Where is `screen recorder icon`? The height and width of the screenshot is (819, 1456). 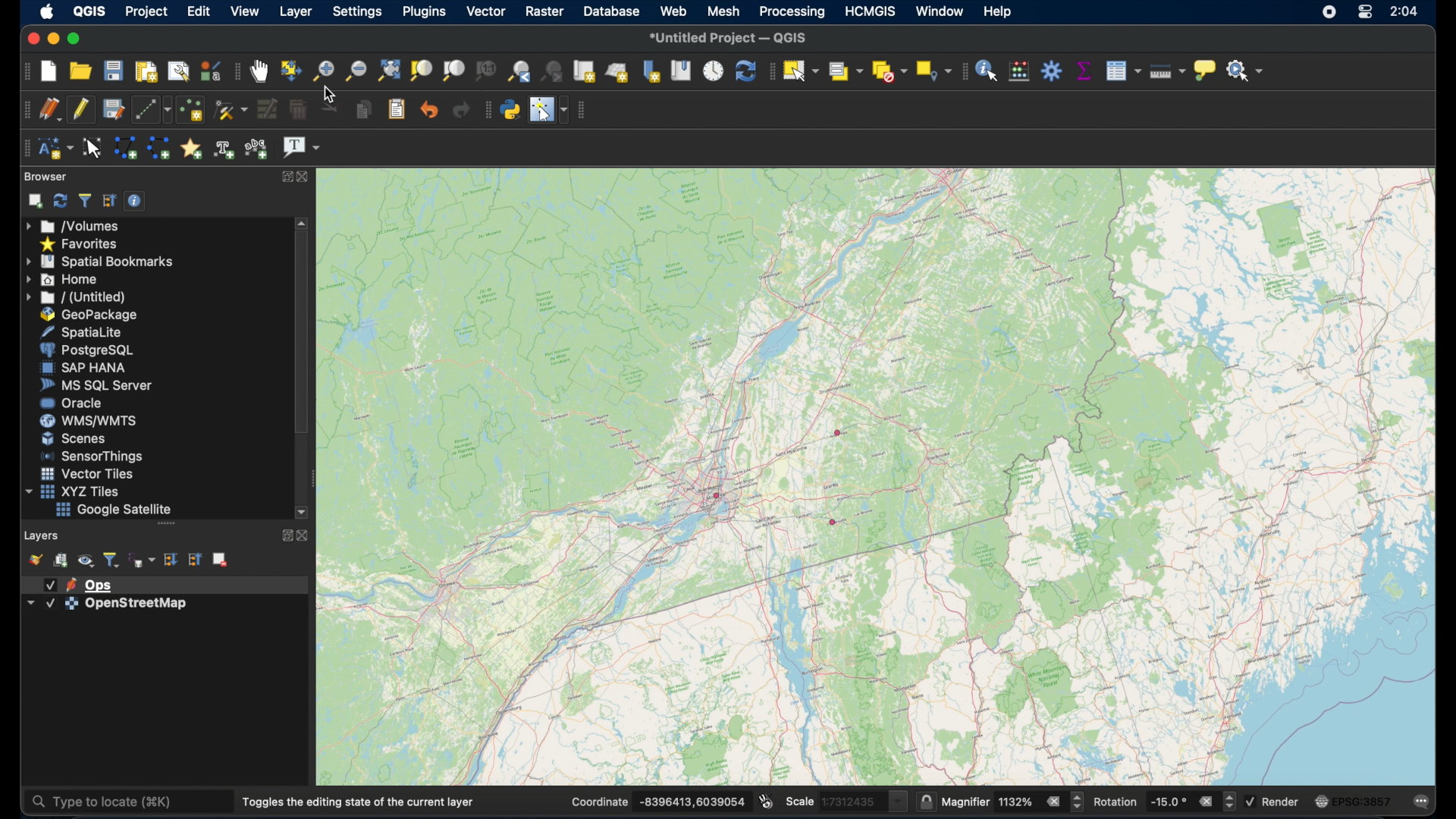 screen recorder icon is located at coordinates (1332, 13).